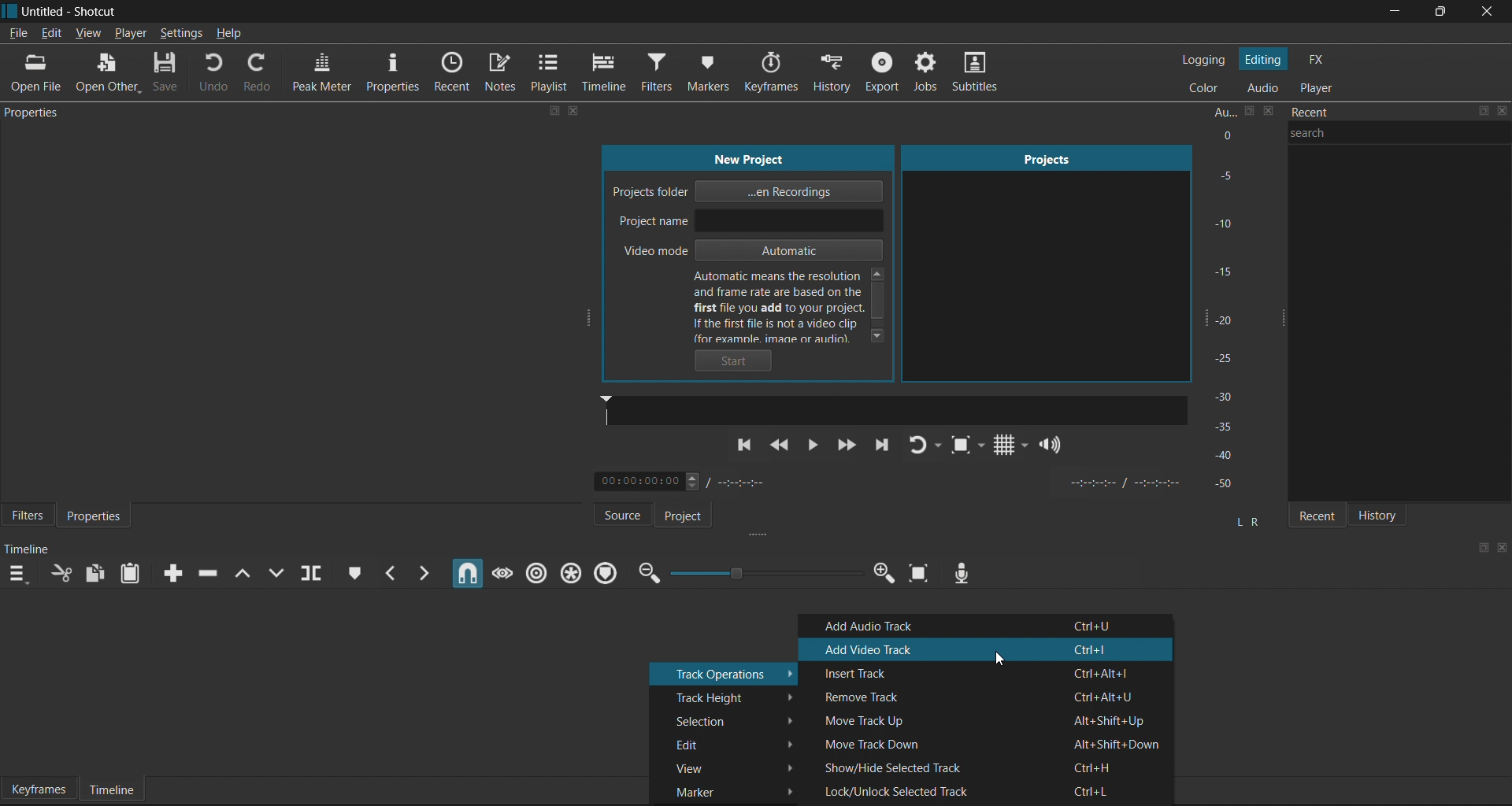  I want to click on Jobs, so click(923, 74).